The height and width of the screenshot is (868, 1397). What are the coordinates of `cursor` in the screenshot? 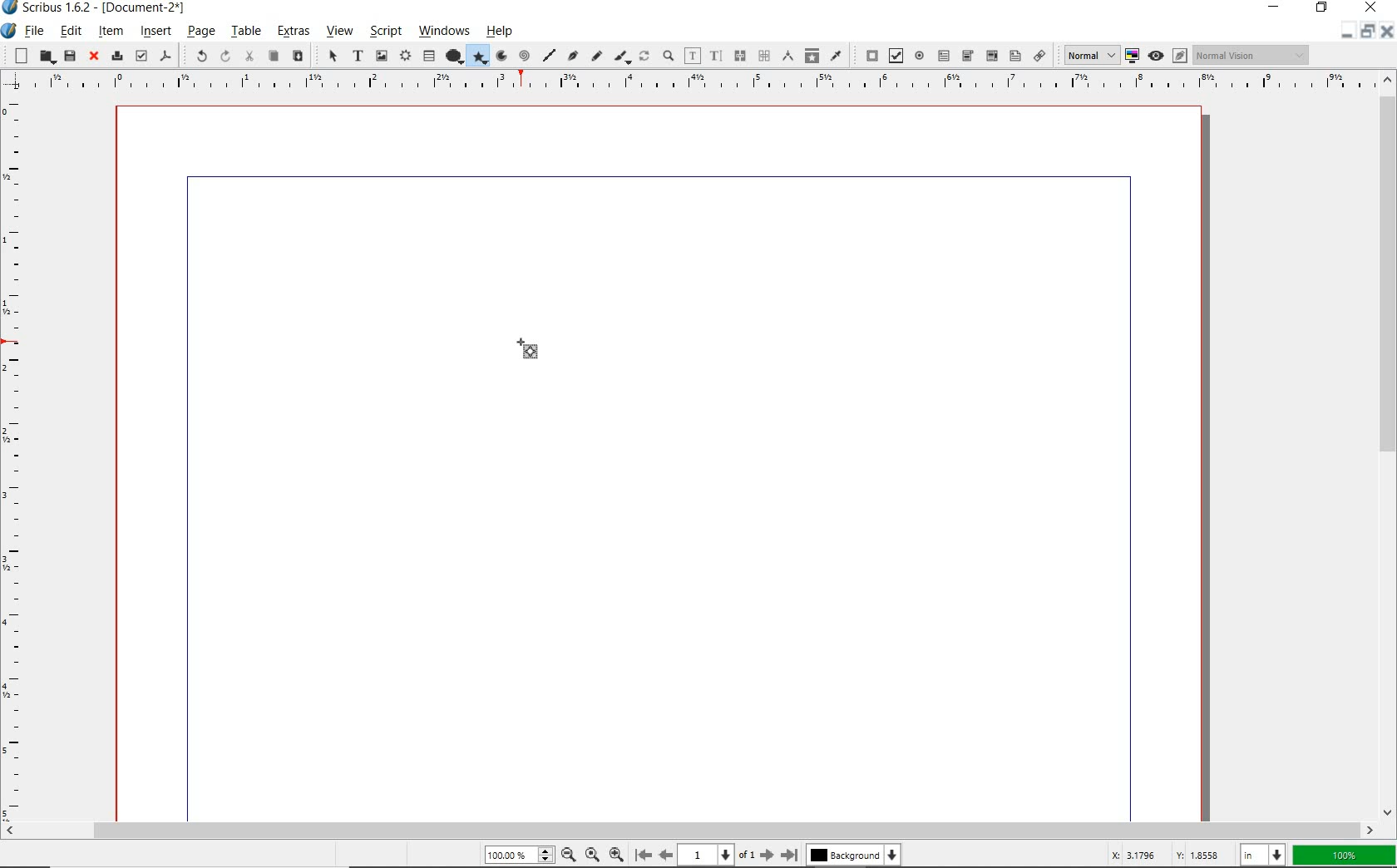 It's located at (511, 328).